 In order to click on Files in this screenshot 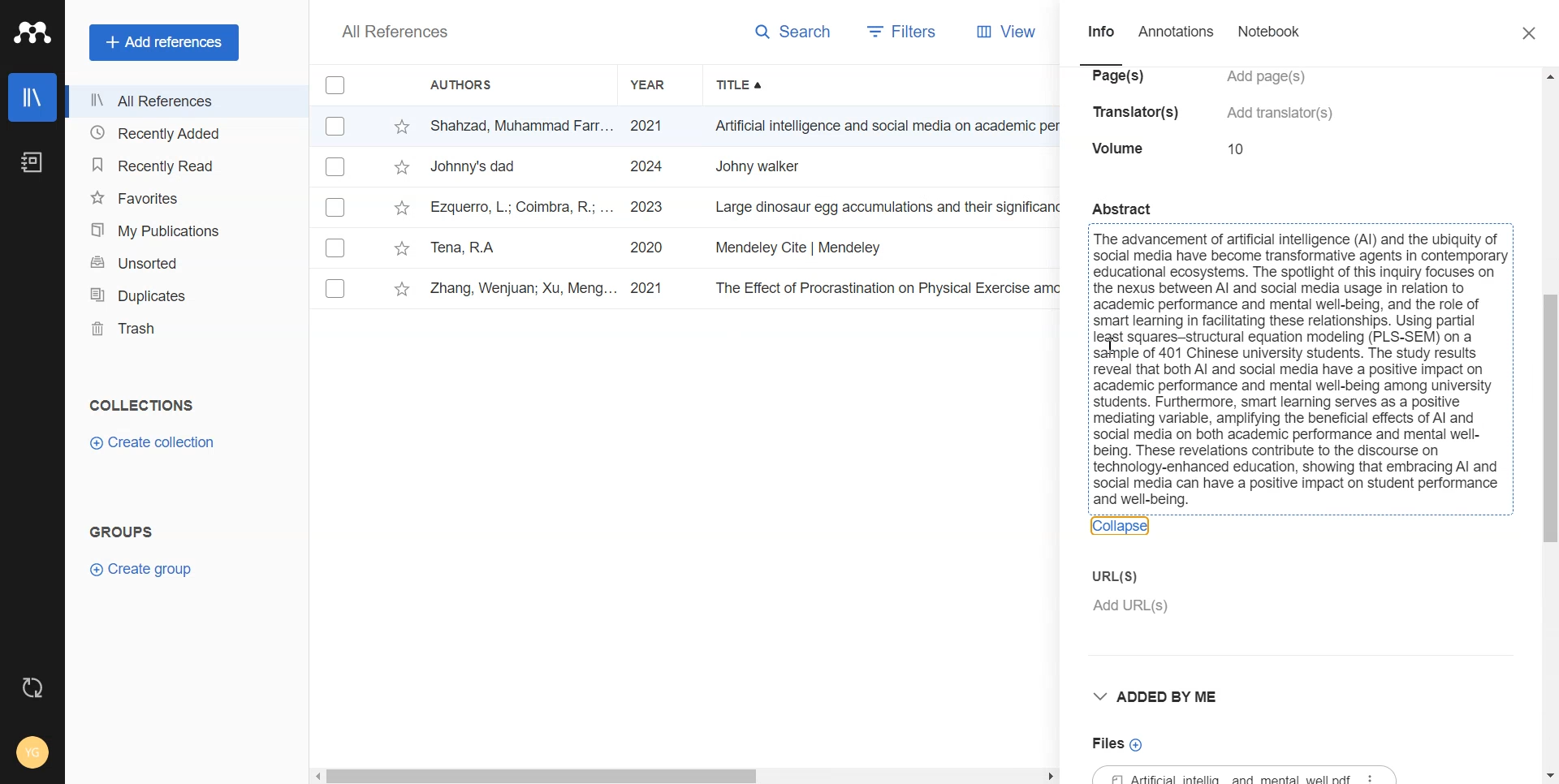, I will do `click(1117, 745)`.